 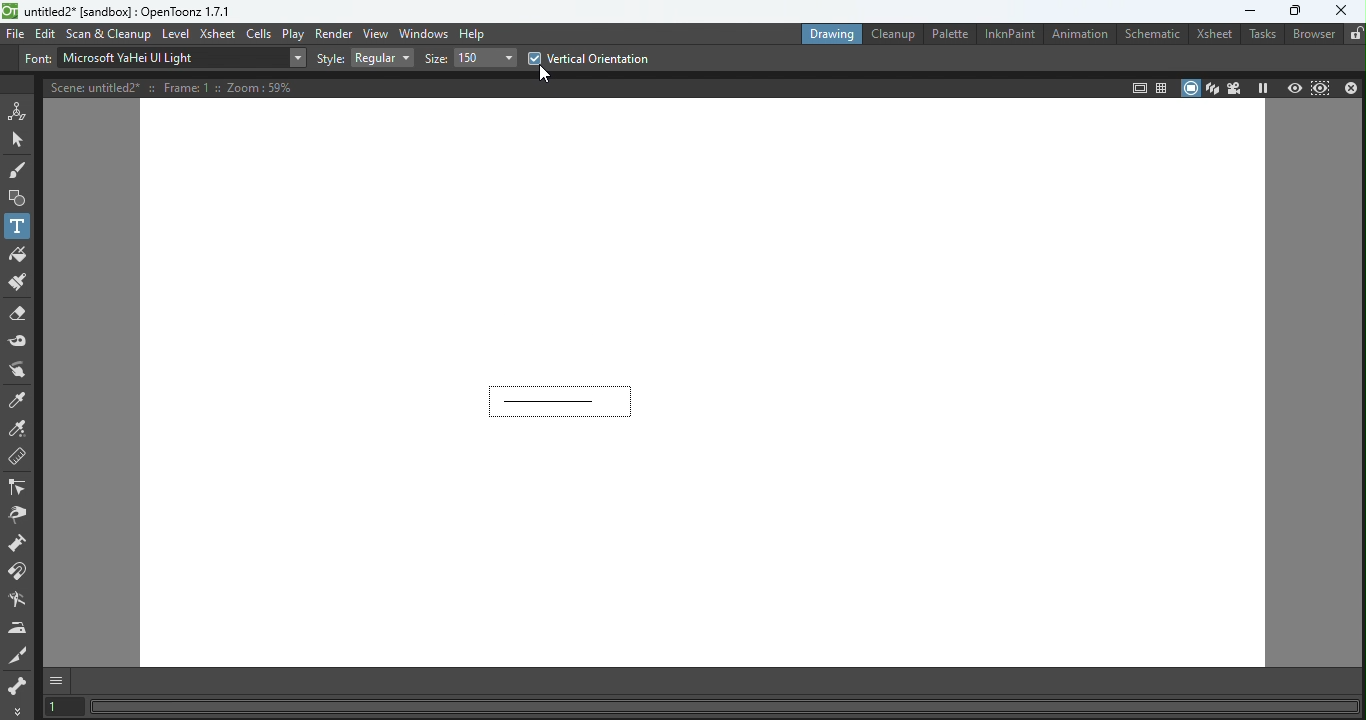 I want to click on Close, so click(x=1351, y=88).